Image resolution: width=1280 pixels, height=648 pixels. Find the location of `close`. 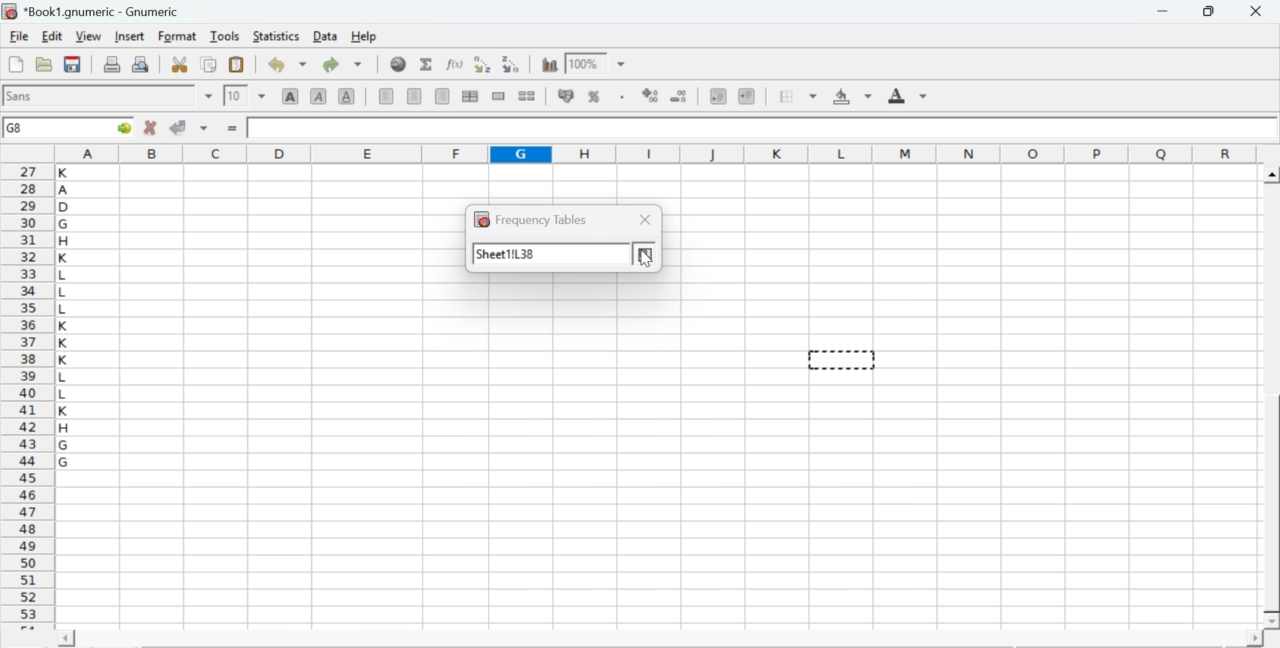

close is located at coordinates (645, 219).